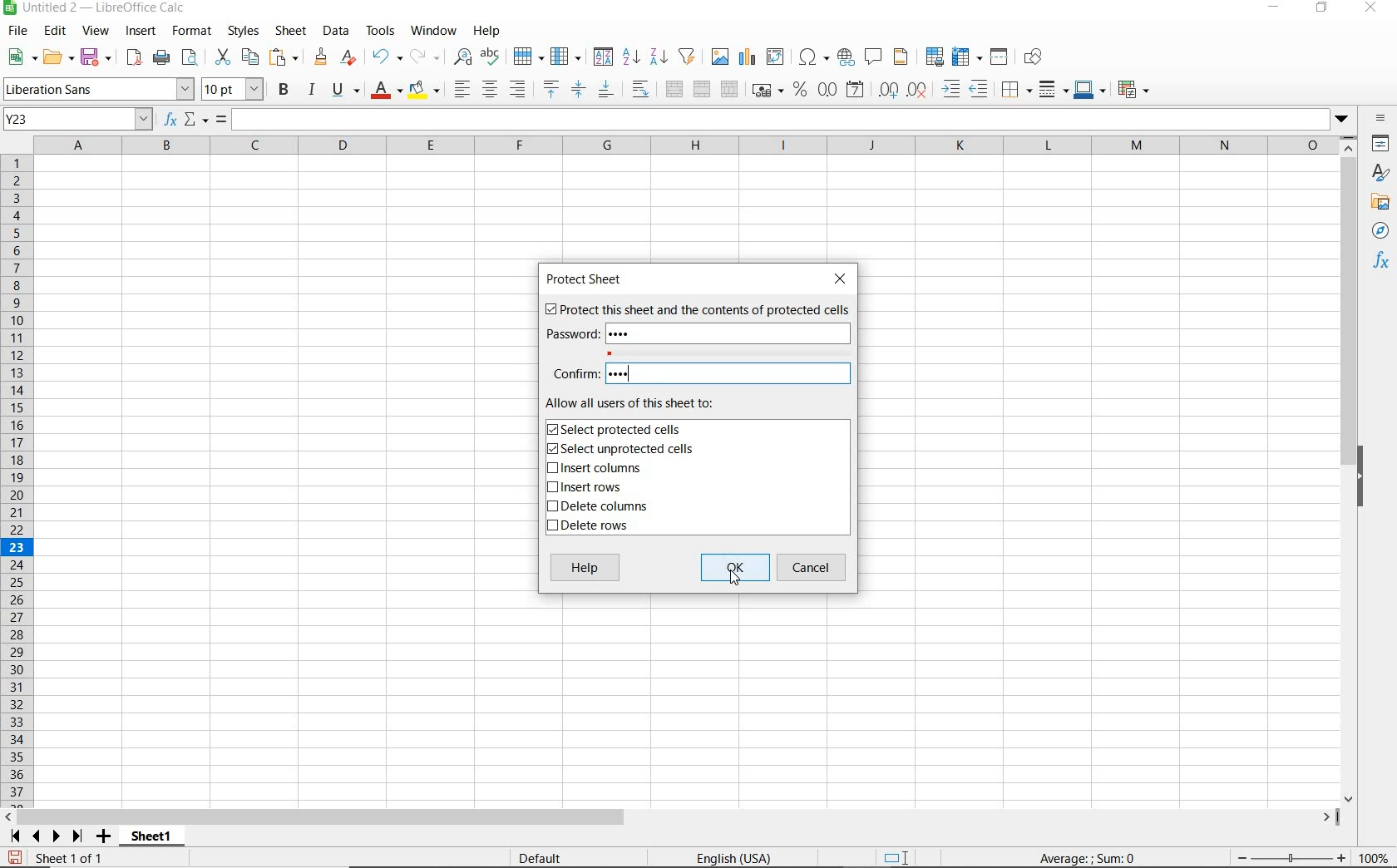  What do you see at coordinates (828, 89) in the screenshot?
I see `FORMAT AS NUMBER` at bounding box center [828, 89].